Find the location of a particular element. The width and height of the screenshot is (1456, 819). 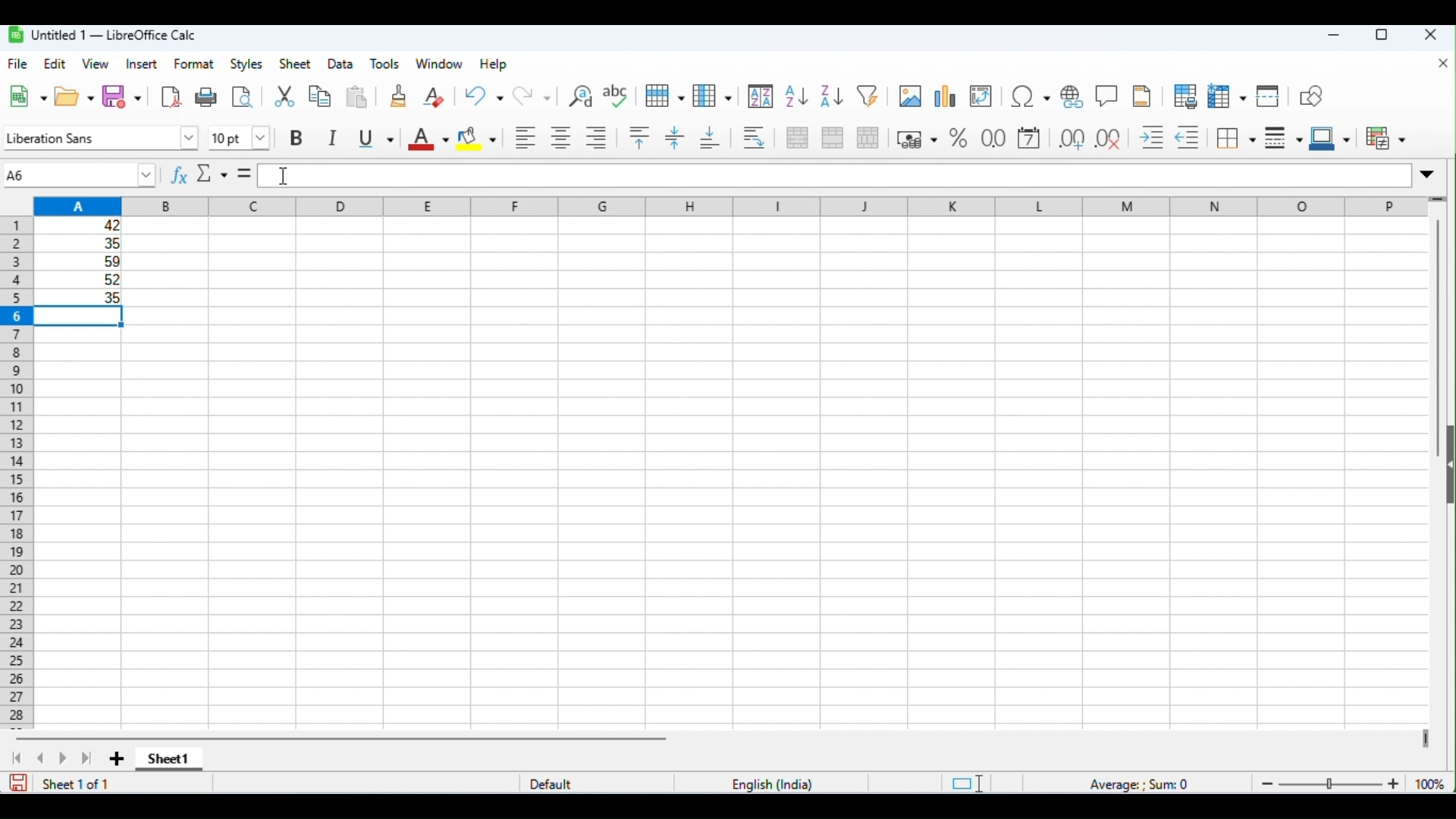

font size is located at coordinates (240, 137).